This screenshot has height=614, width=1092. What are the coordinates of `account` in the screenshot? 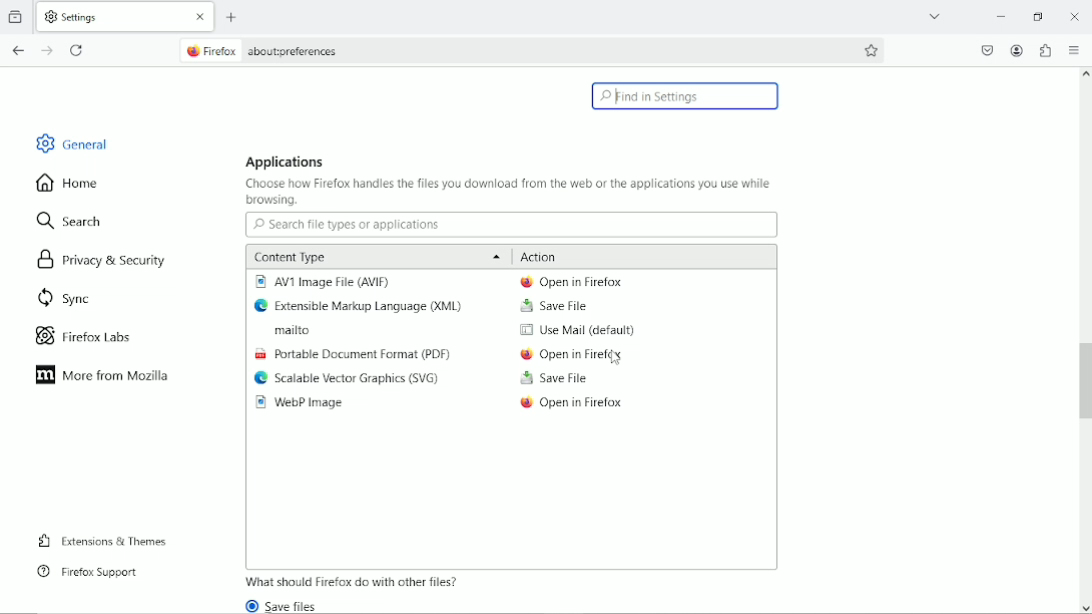 It's located at (1017, 51).